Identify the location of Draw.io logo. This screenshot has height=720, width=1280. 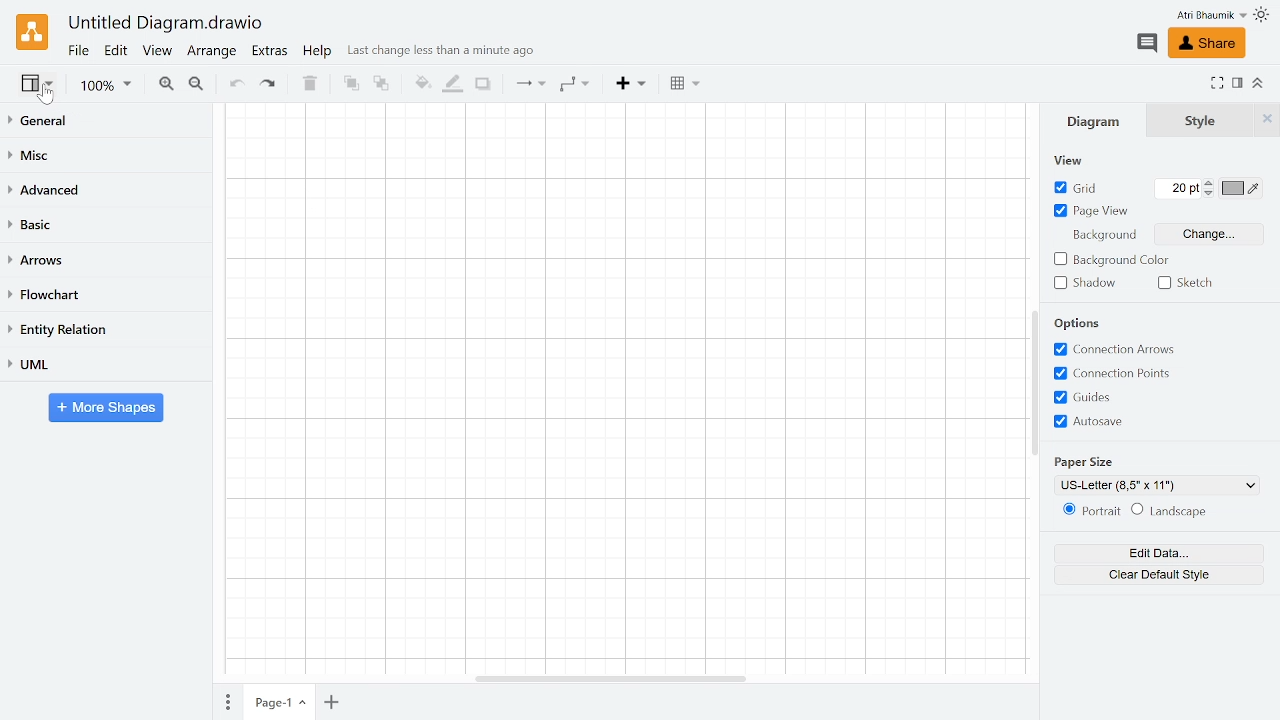
(32, 31).